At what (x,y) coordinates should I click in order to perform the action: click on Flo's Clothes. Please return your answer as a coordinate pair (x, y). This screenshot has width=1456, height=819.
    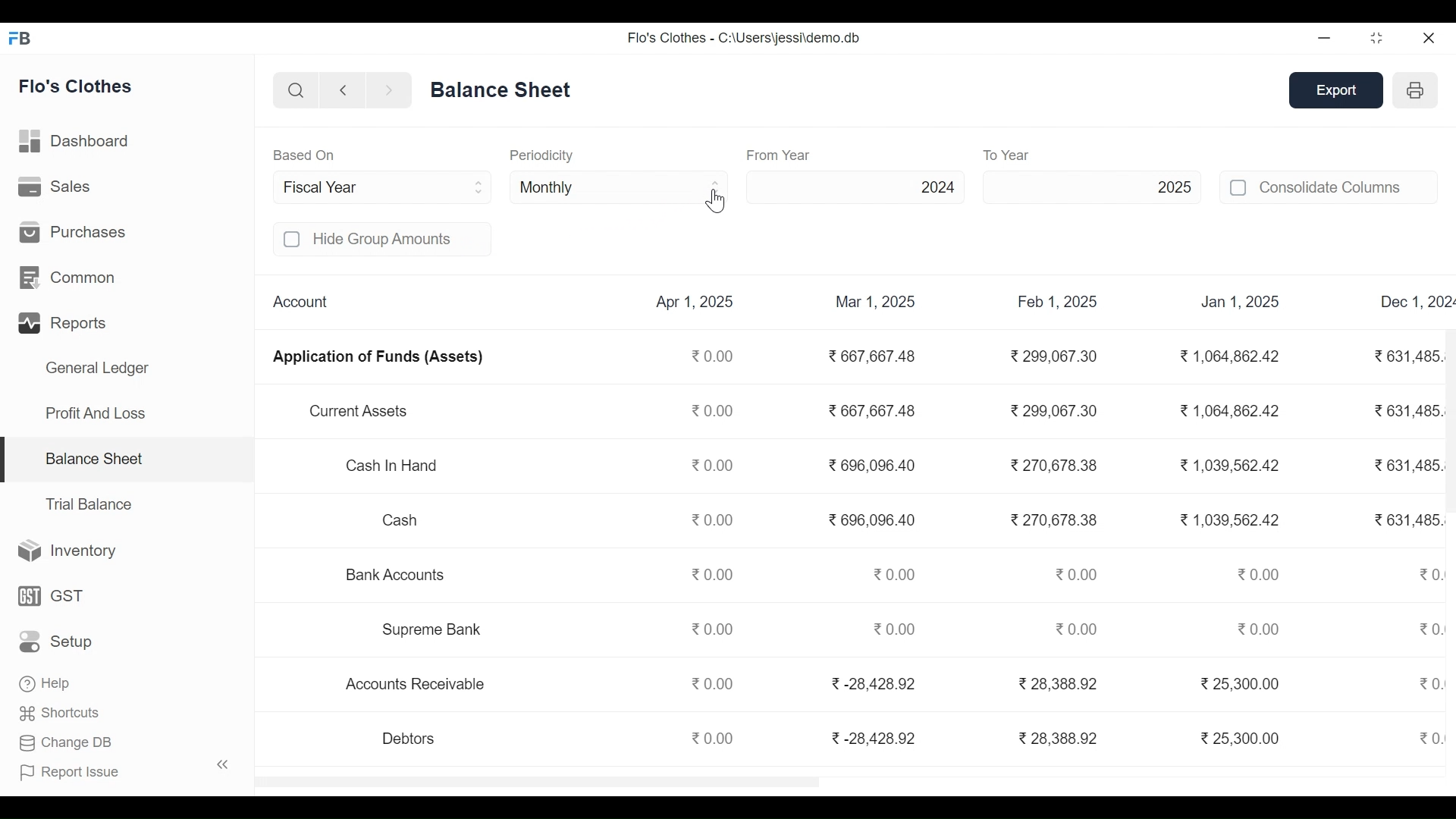
    Looking at the image, I should click on (77, 88).